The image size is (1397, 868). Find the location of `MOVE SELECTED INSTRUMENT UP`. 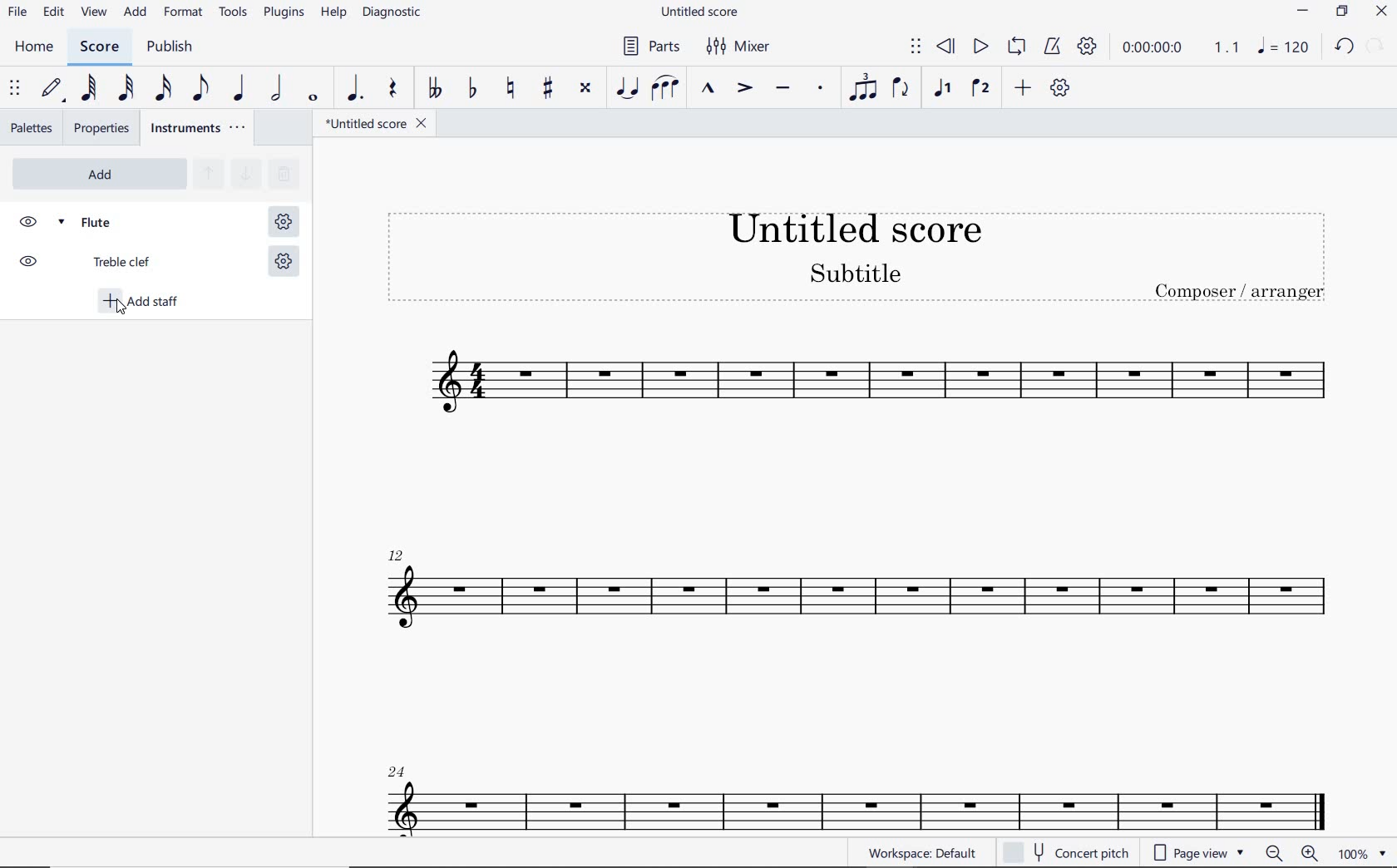

MOVE SELECTED INSTRUMENT UP is located at coordinates (207, 175).